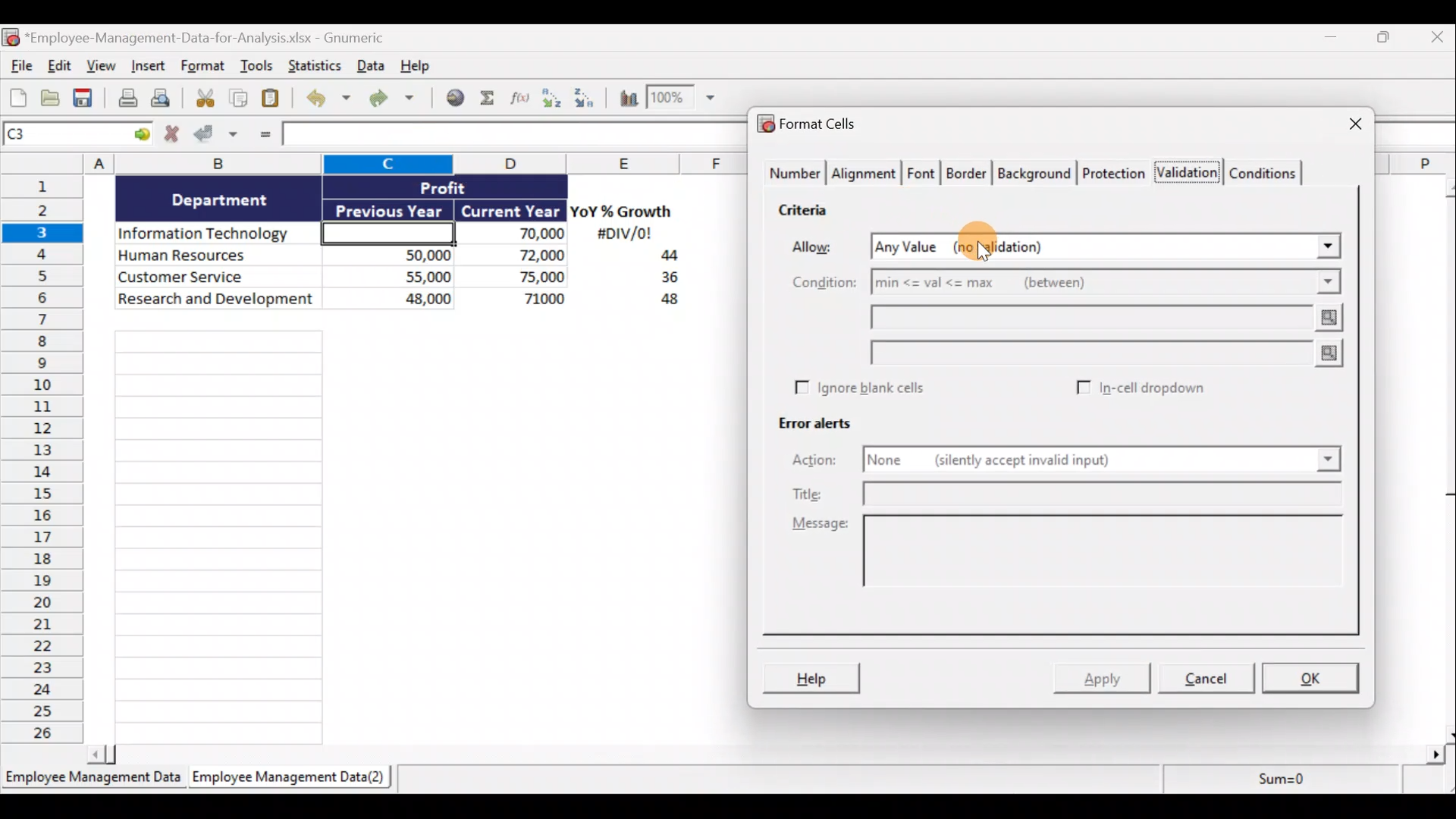  What do you see at coordinates (1434, 40) in the screenshot?
I see `Close` at bounding box center [1434, 40].